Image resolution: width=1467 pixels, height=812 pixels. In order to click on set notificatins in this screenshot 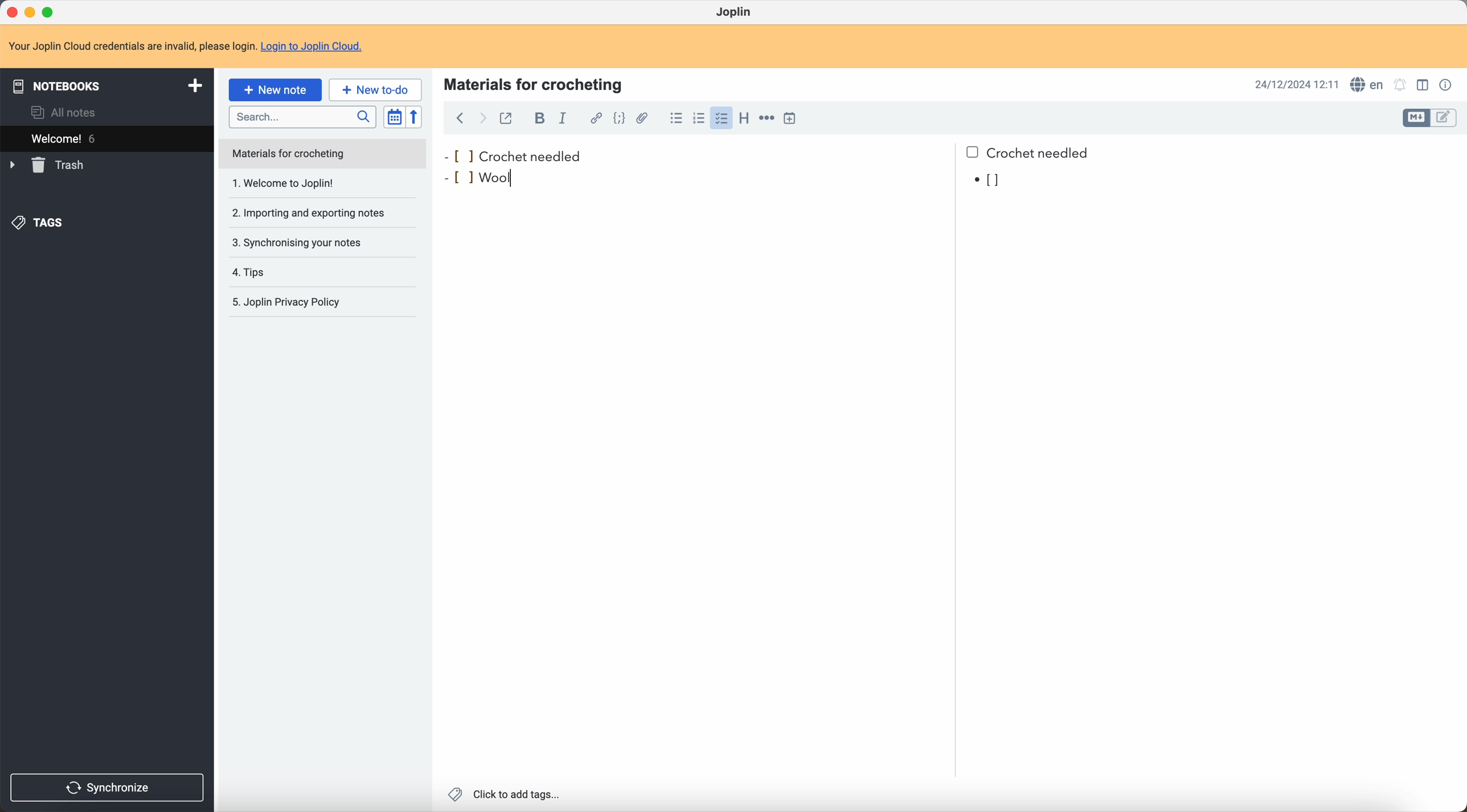, I will do `click(1400, 86)`.